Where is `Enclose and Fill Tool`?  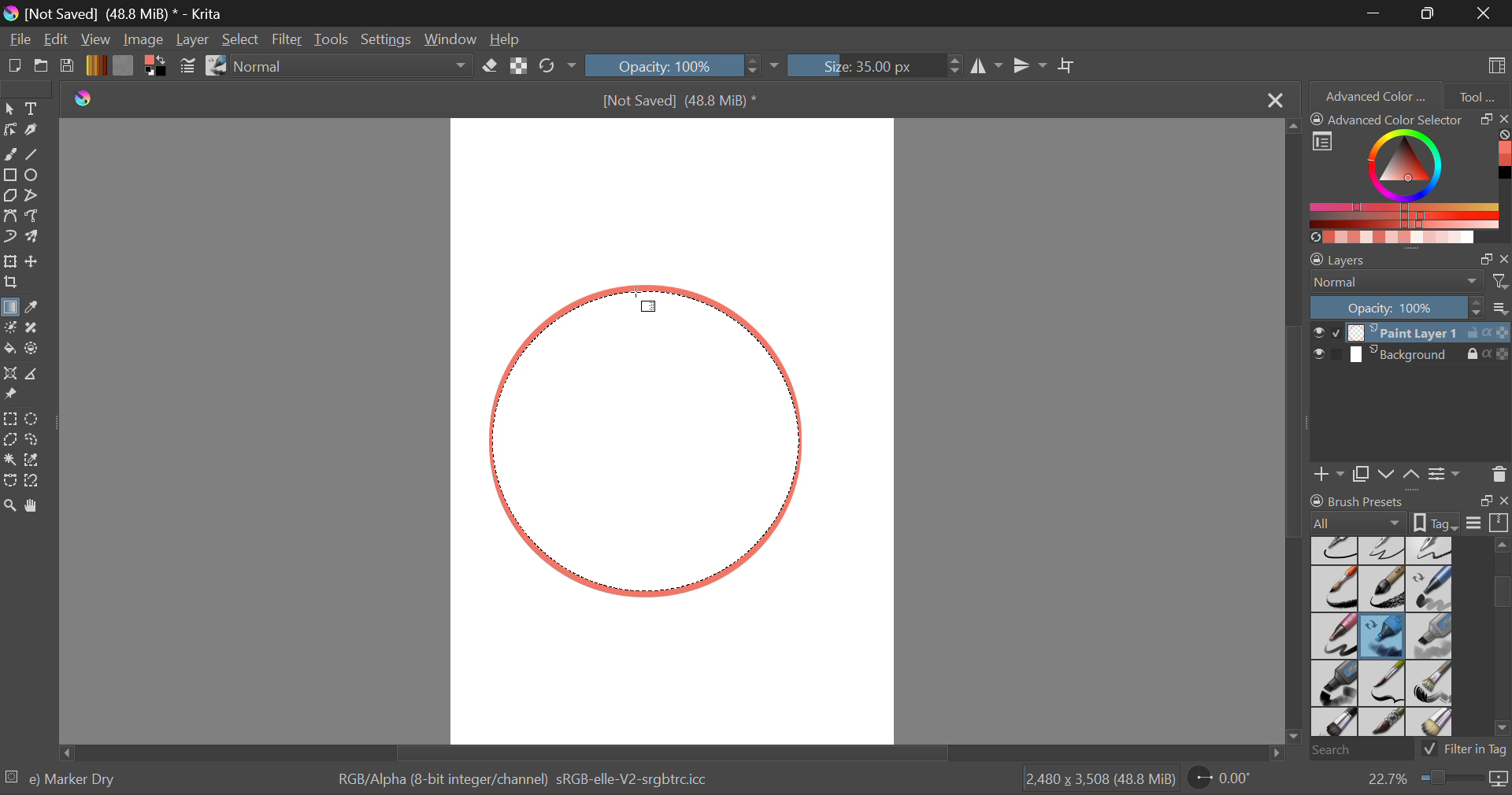
Enclose and Fill Tool is located at coordinates (33, 349).